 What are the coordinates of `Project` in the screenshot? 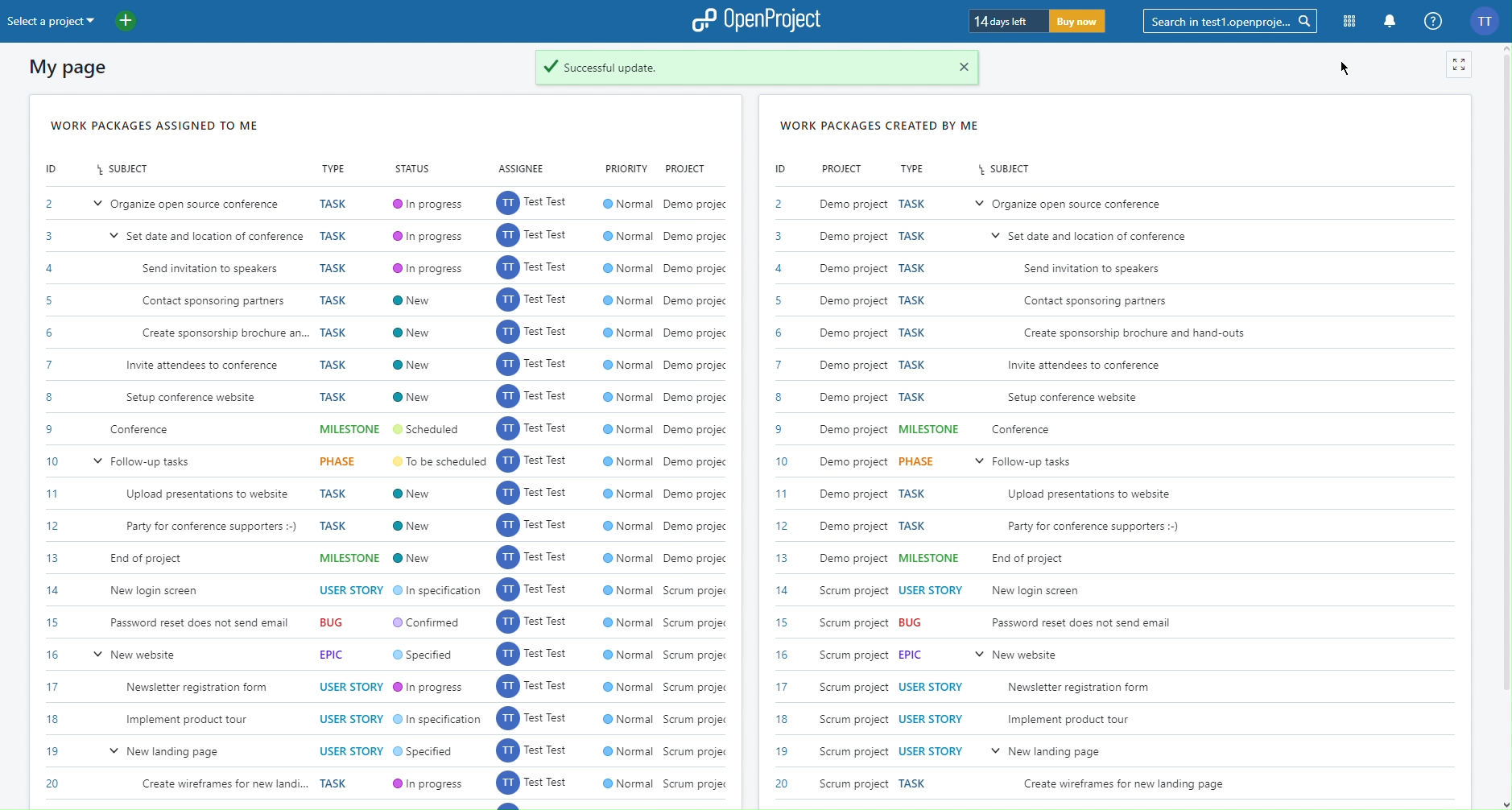 It's located at (843, 169).